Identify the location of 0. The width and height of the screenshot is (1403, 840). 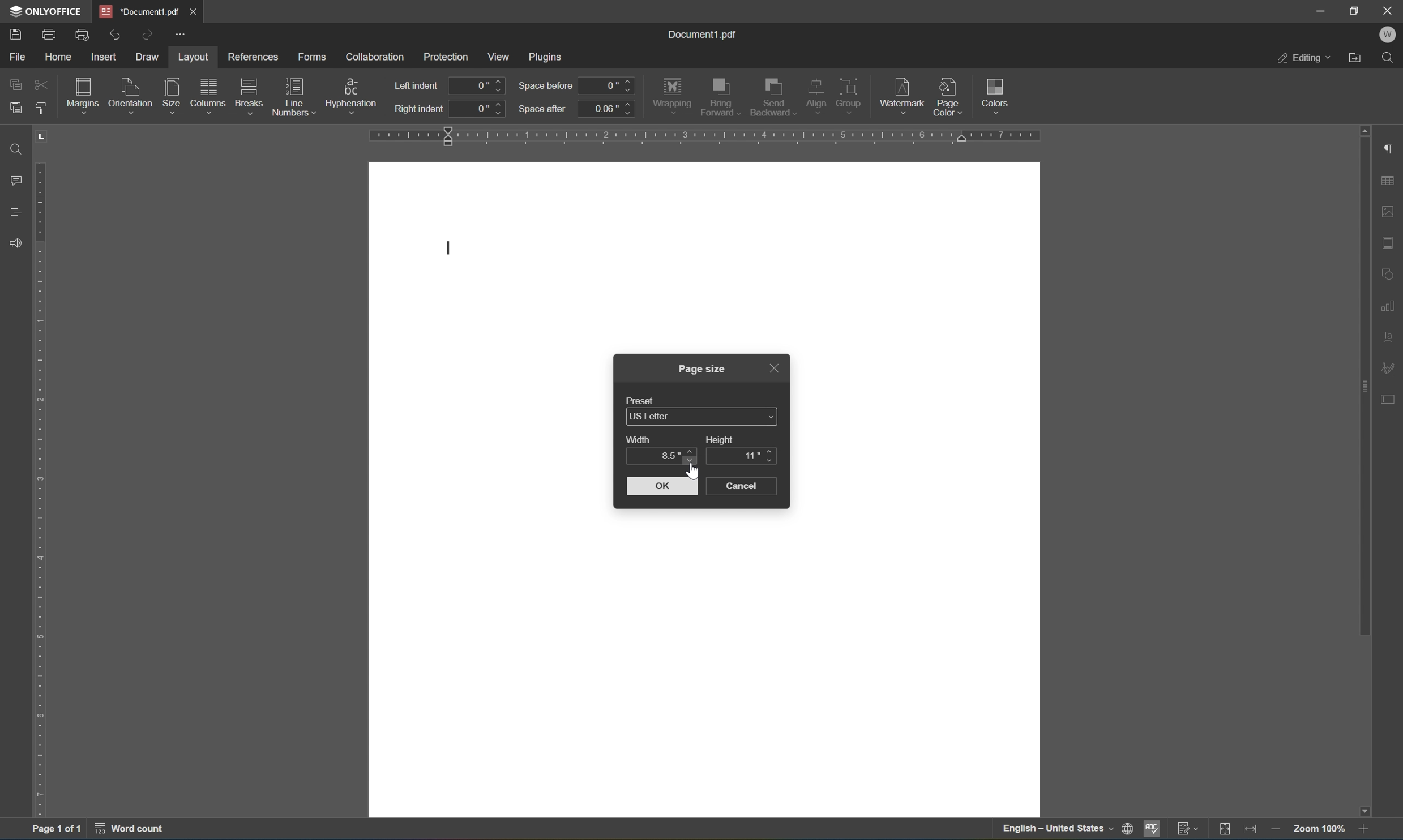
(609, 85).